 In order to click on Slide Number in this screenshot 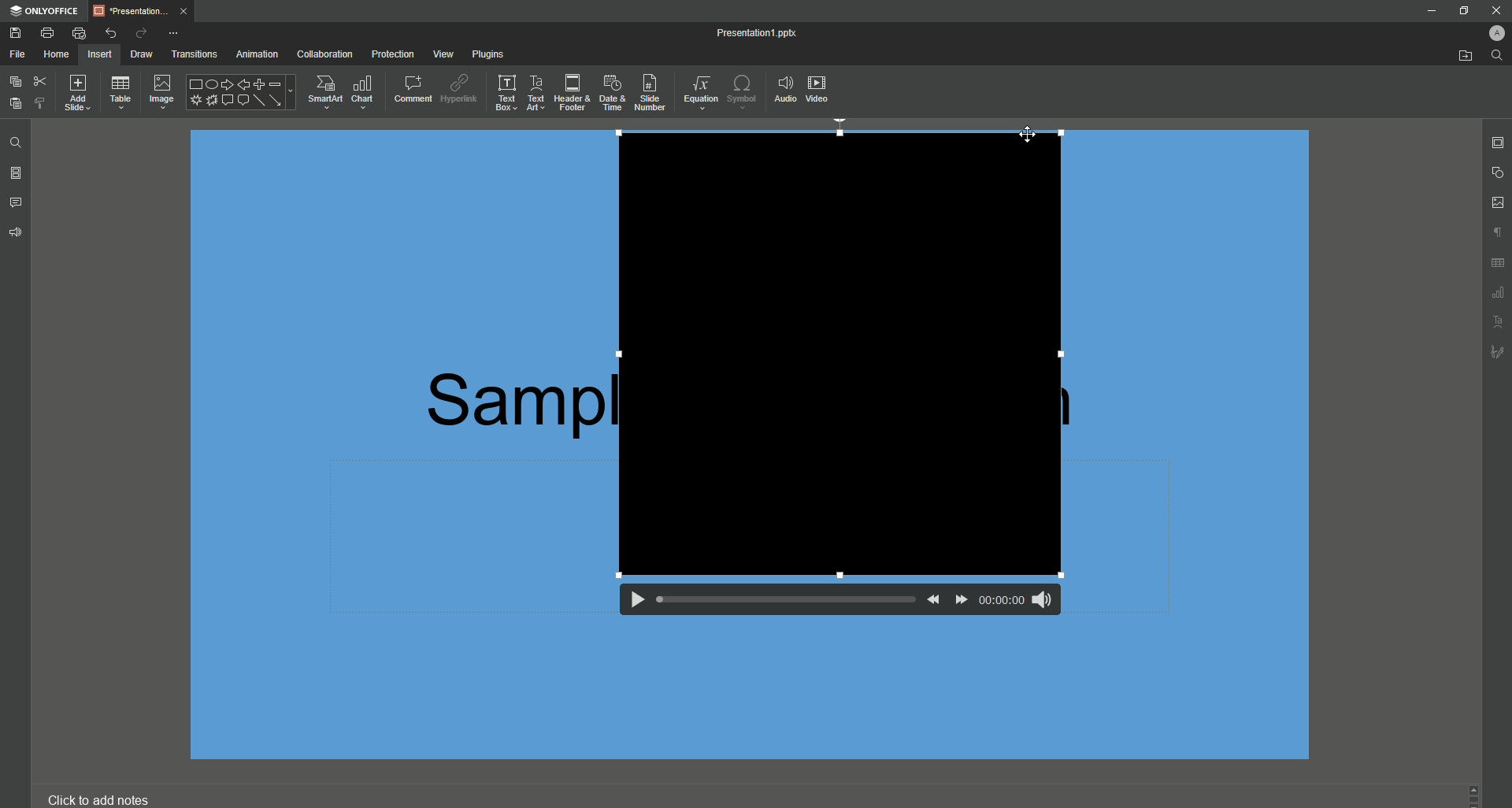, I will do `click(653, 94)`.